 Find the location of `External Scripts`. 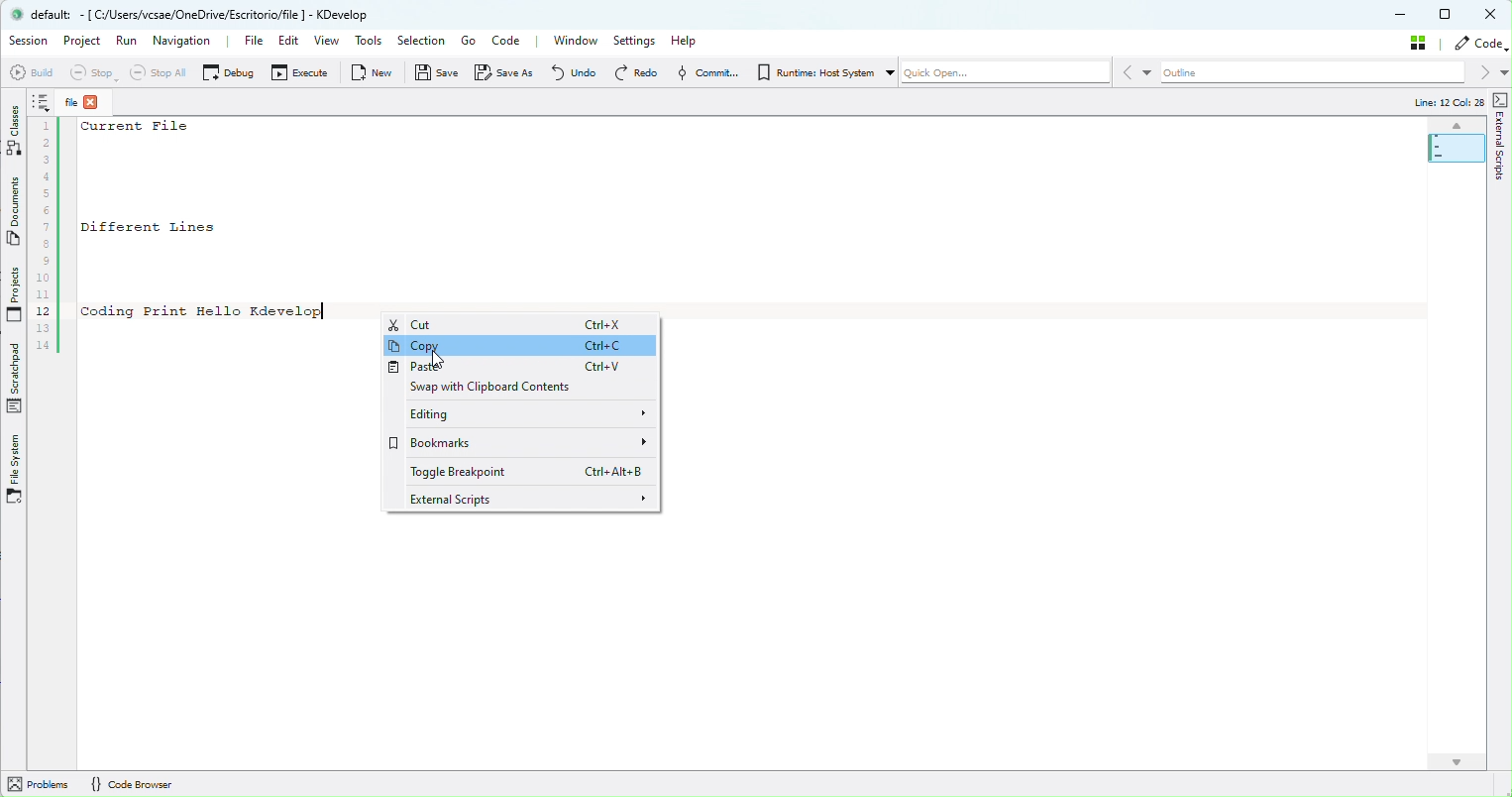

External Scripts is located at coordinates (1499, 133).